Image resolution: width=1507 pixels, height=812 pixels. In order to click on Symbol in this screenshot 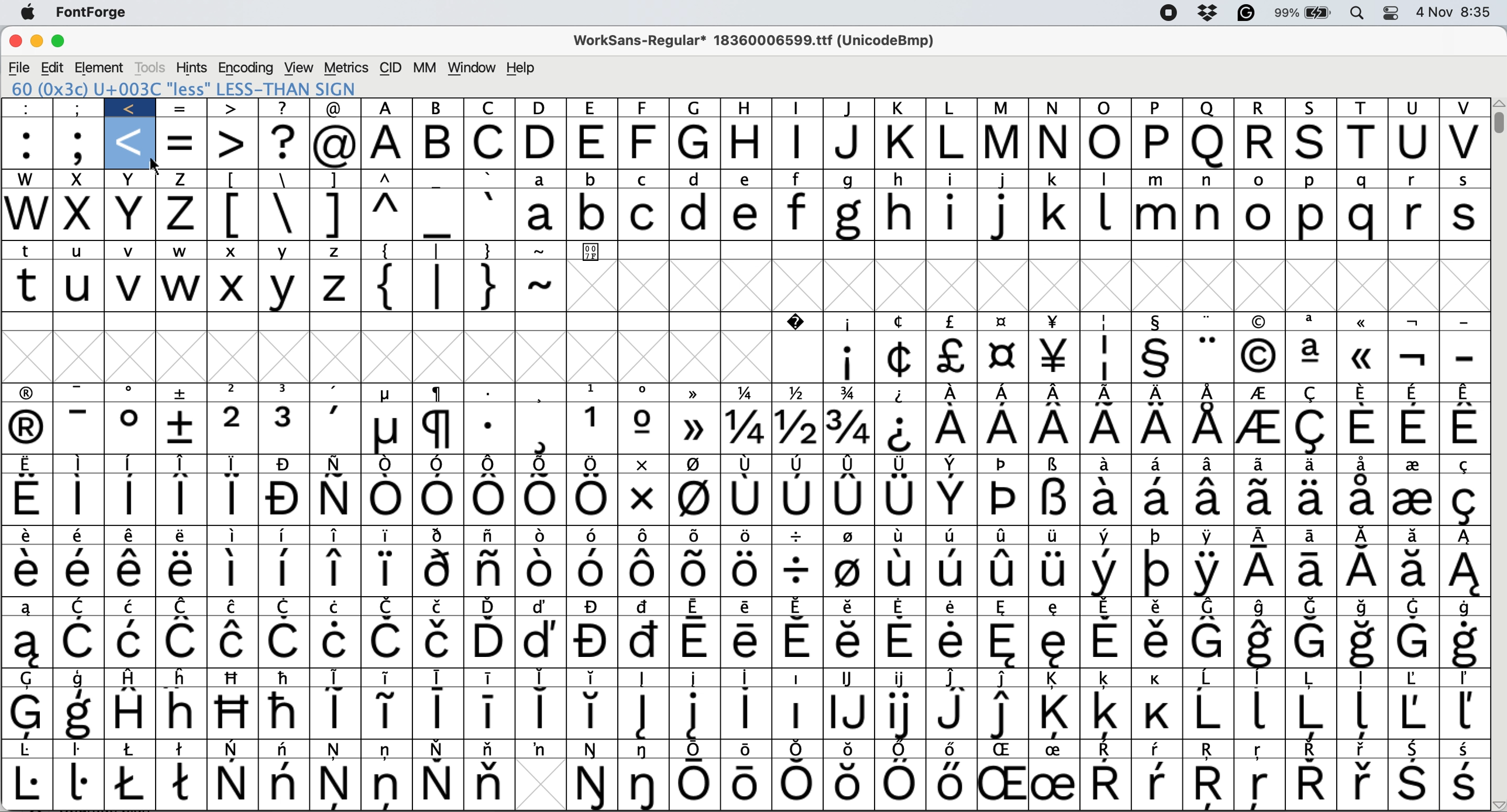, I will do `click(954, 677)`.